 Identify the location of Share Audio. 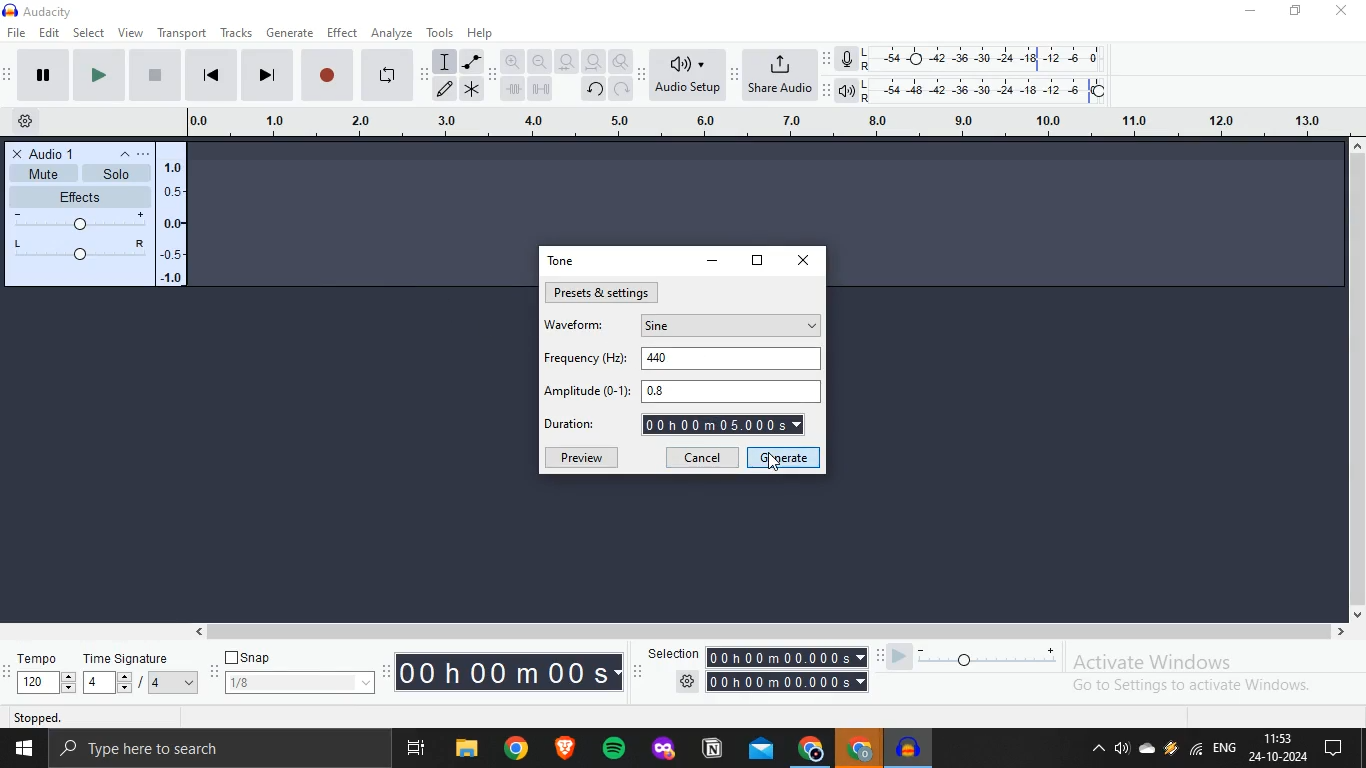
(781, 75).